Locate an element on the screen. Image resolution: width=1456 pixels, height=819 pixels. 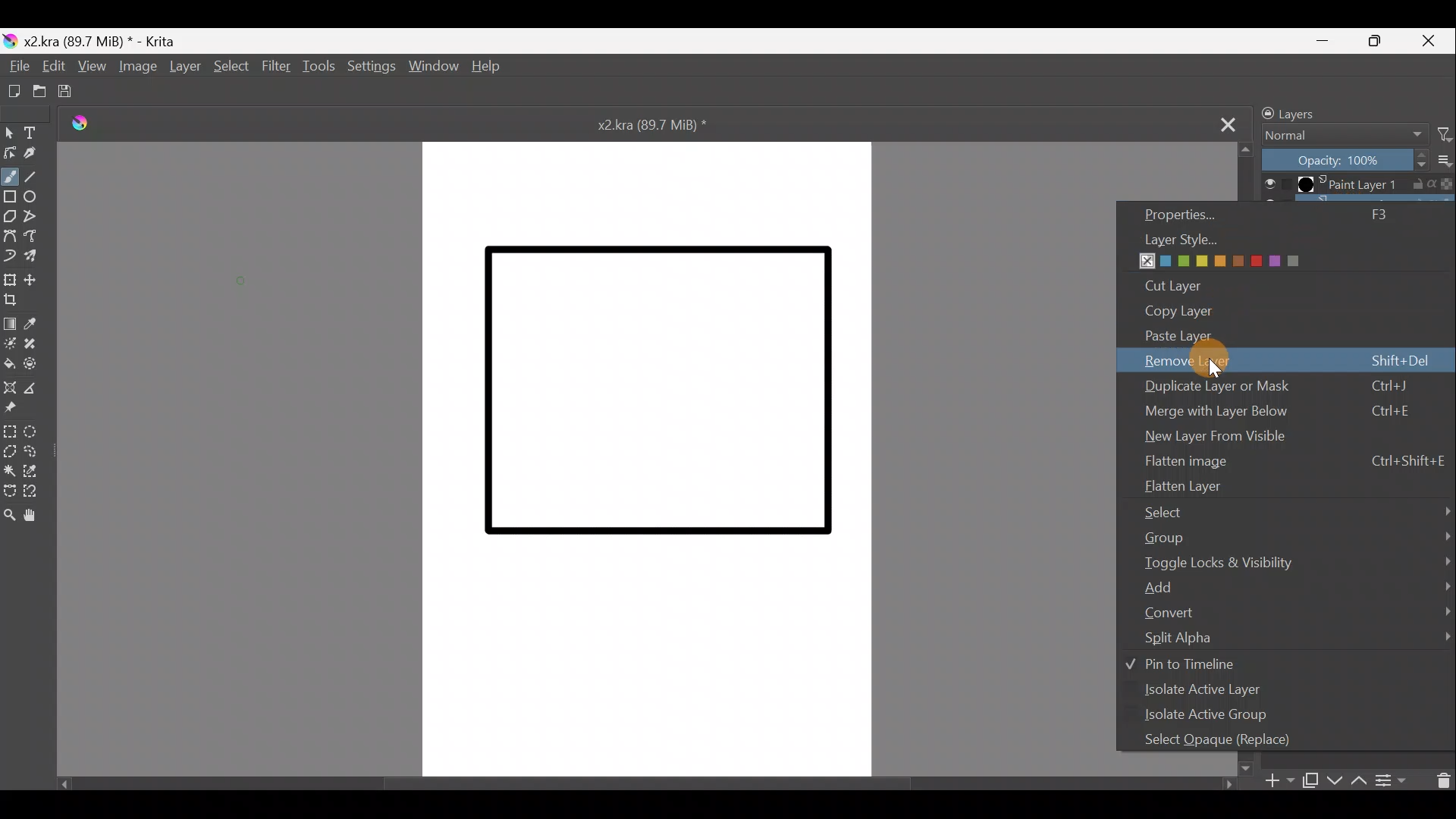
Colourise mask tool is located at coordinates (11, 343).